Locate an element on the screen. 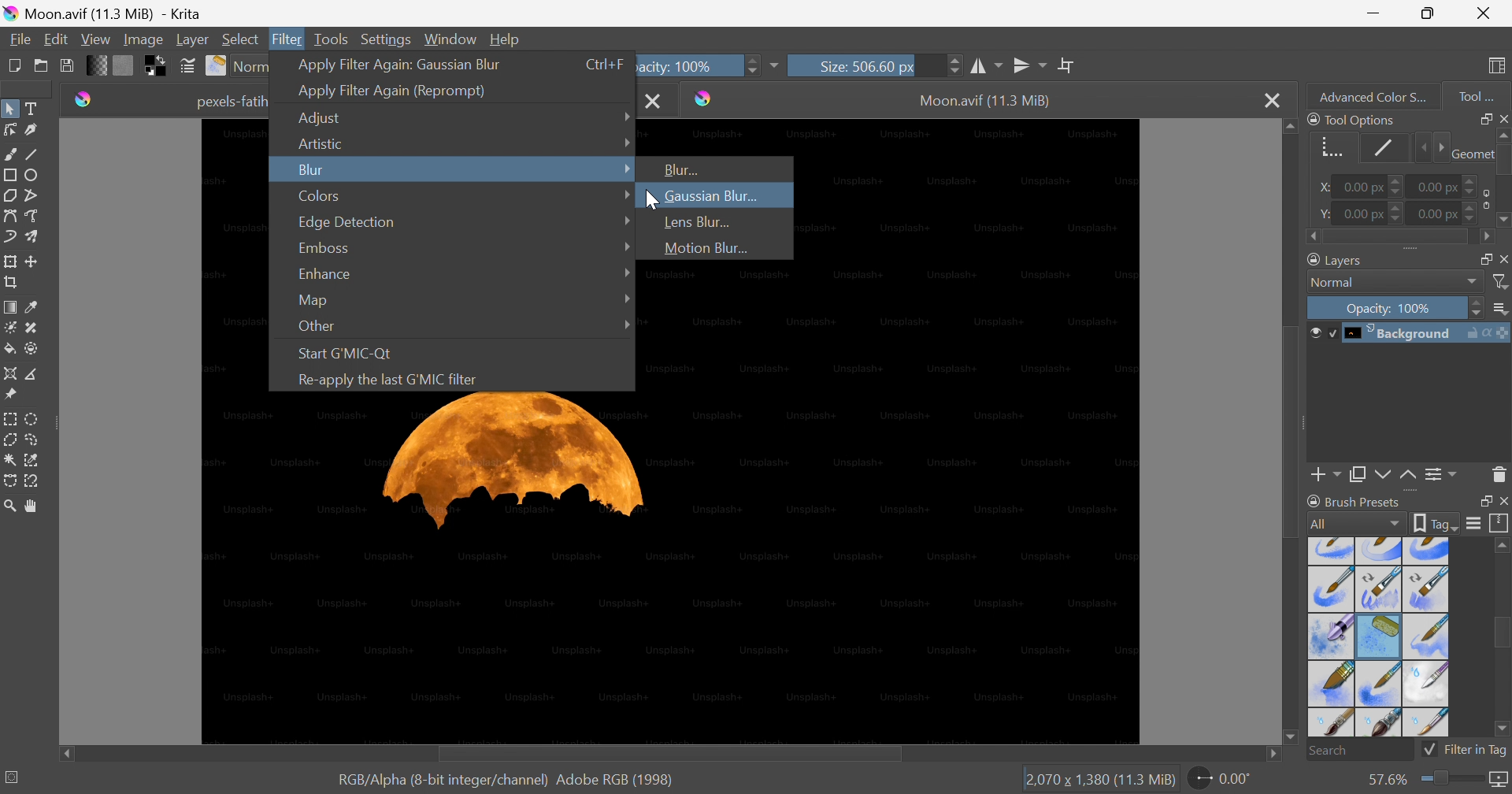 This screenshot has width=1512, height=794. Ellipse tool is located at coordinates (32, 176).